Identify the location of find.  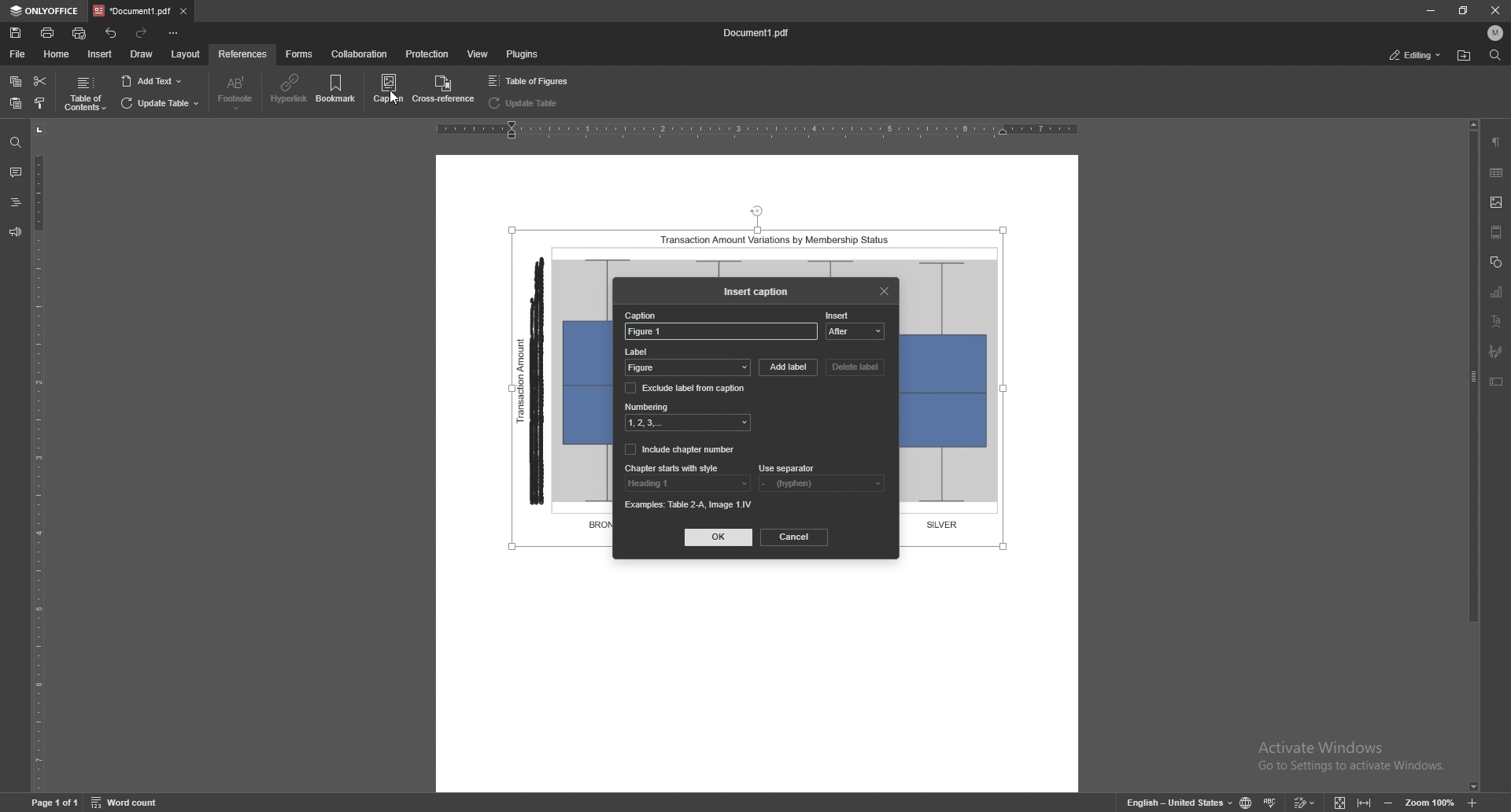
(1494, 55).